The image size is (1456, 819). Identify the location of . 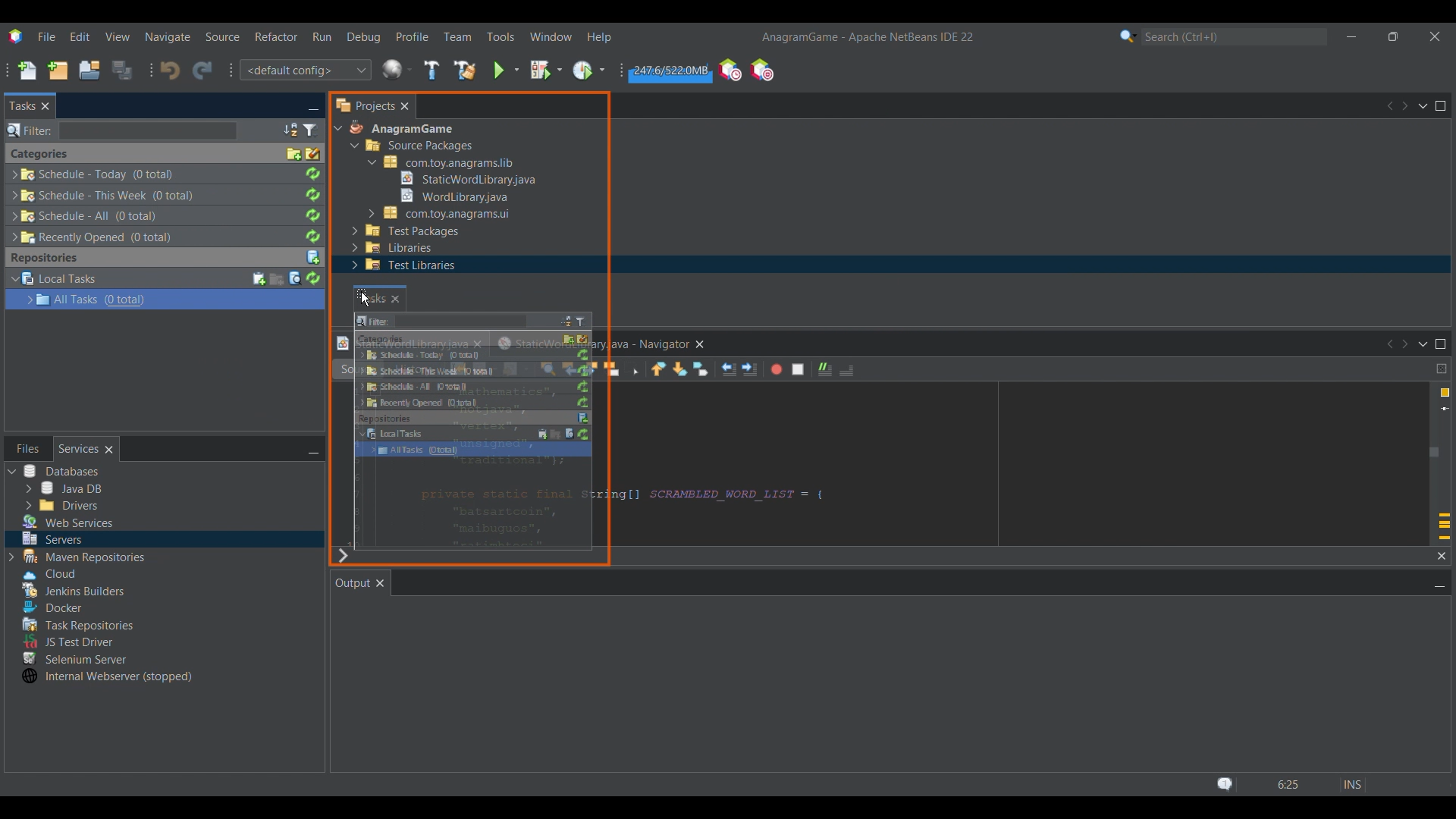
(472, 431).